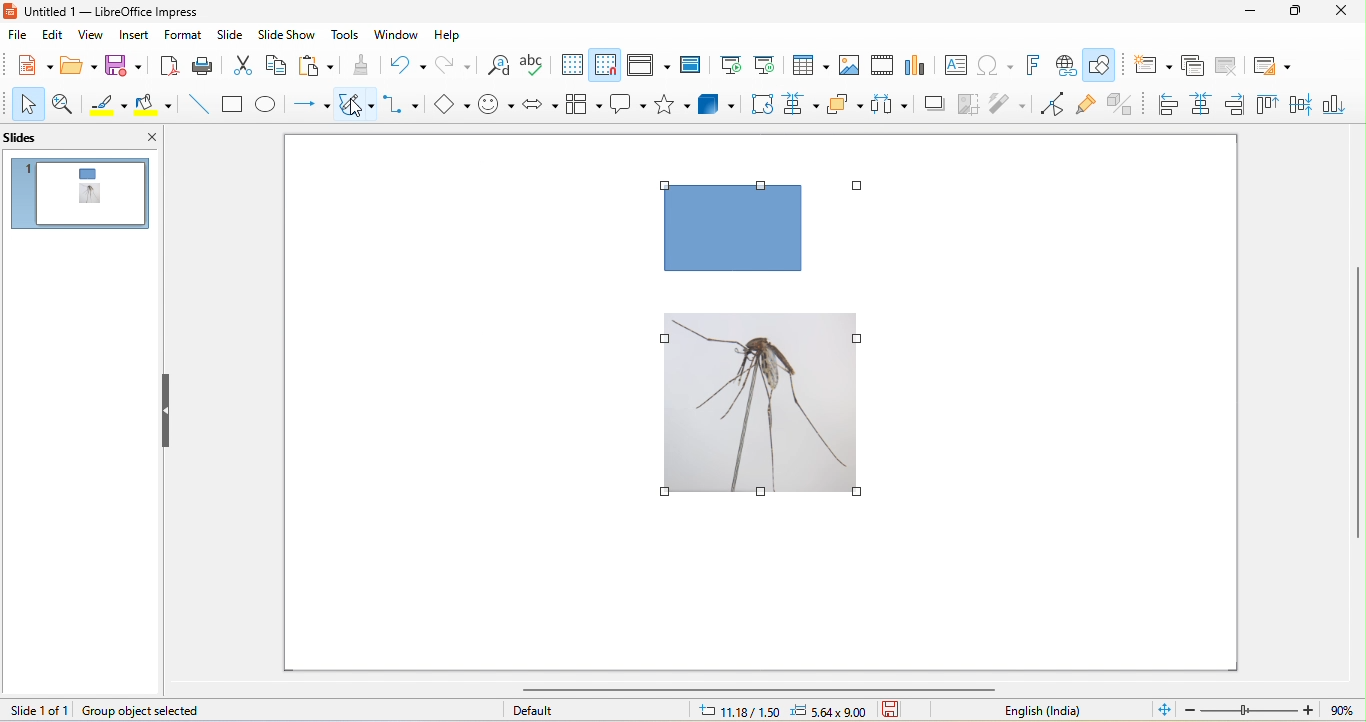 This screenshot has height=722, width=1366. I want to click on find and replace, so click(501, 68).